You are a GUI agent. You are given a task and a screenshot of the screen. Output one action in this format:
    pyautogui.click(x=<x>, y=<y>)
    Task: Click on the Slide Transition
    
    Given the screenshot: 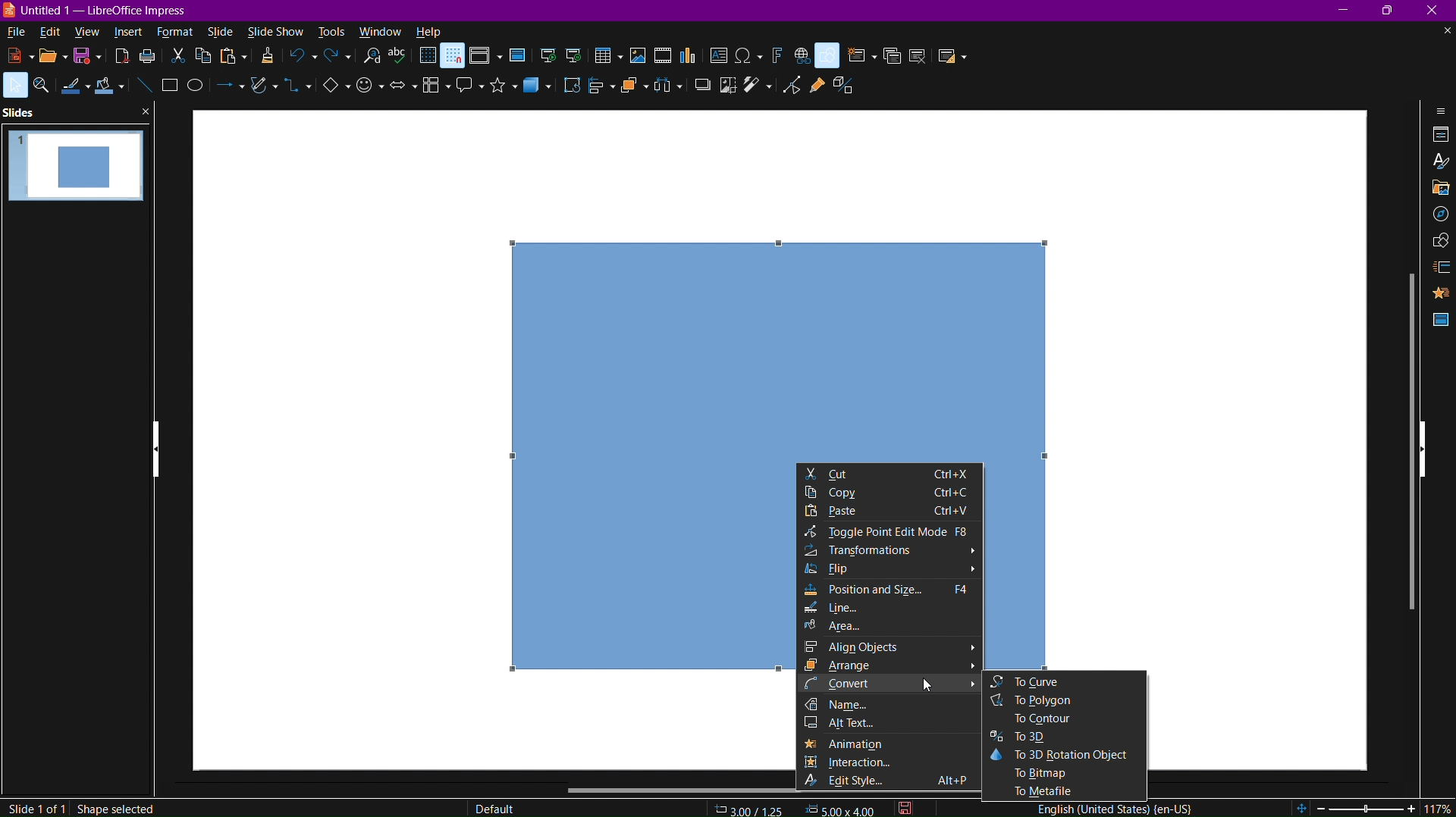 What is the action you would take?
    pyautogui.click(x=1439, y=267)
    